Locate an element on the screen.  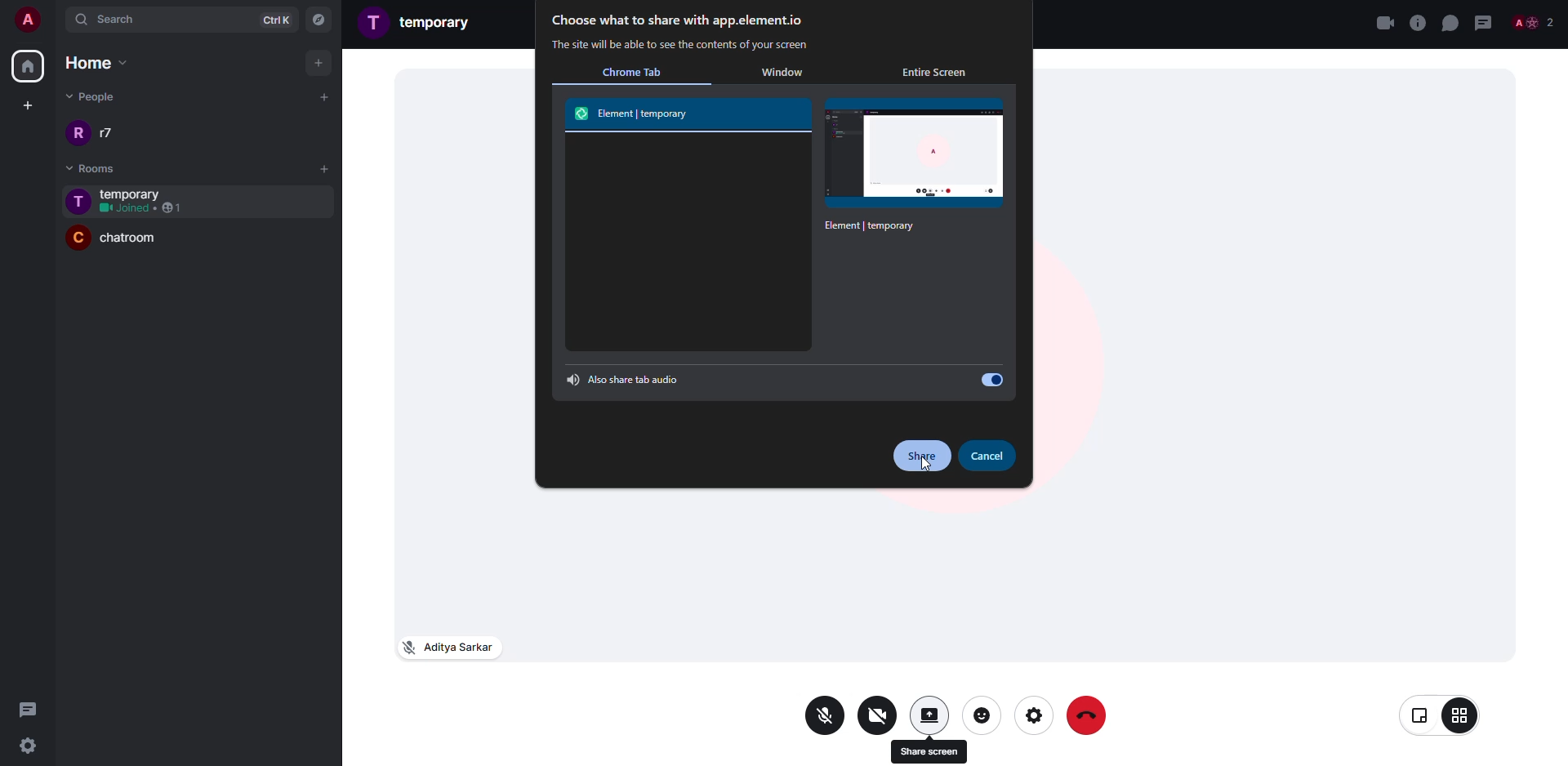
profile is located at coordinates (78, 202).